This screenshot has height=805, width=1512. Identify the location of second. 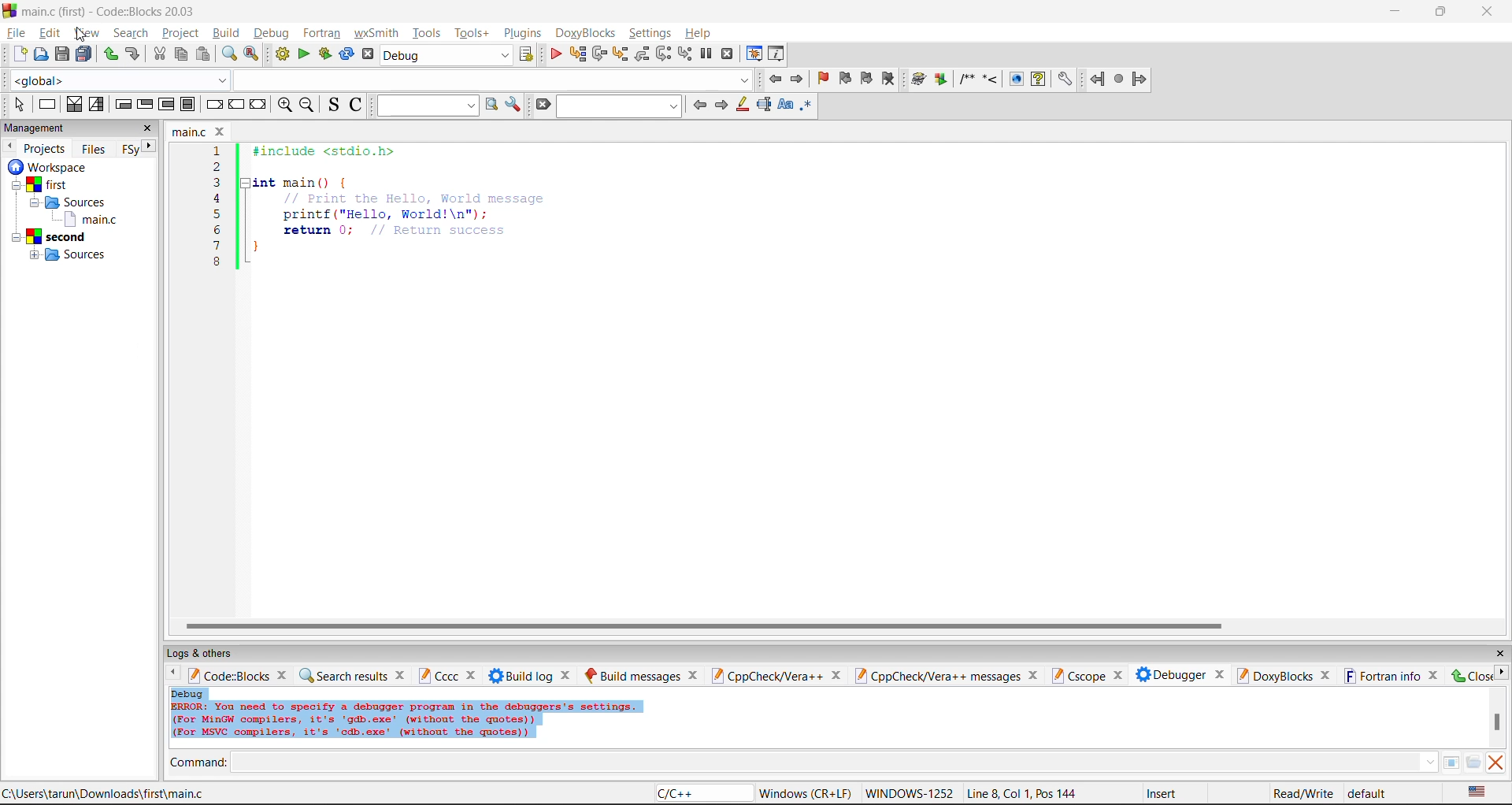
(55, 237).